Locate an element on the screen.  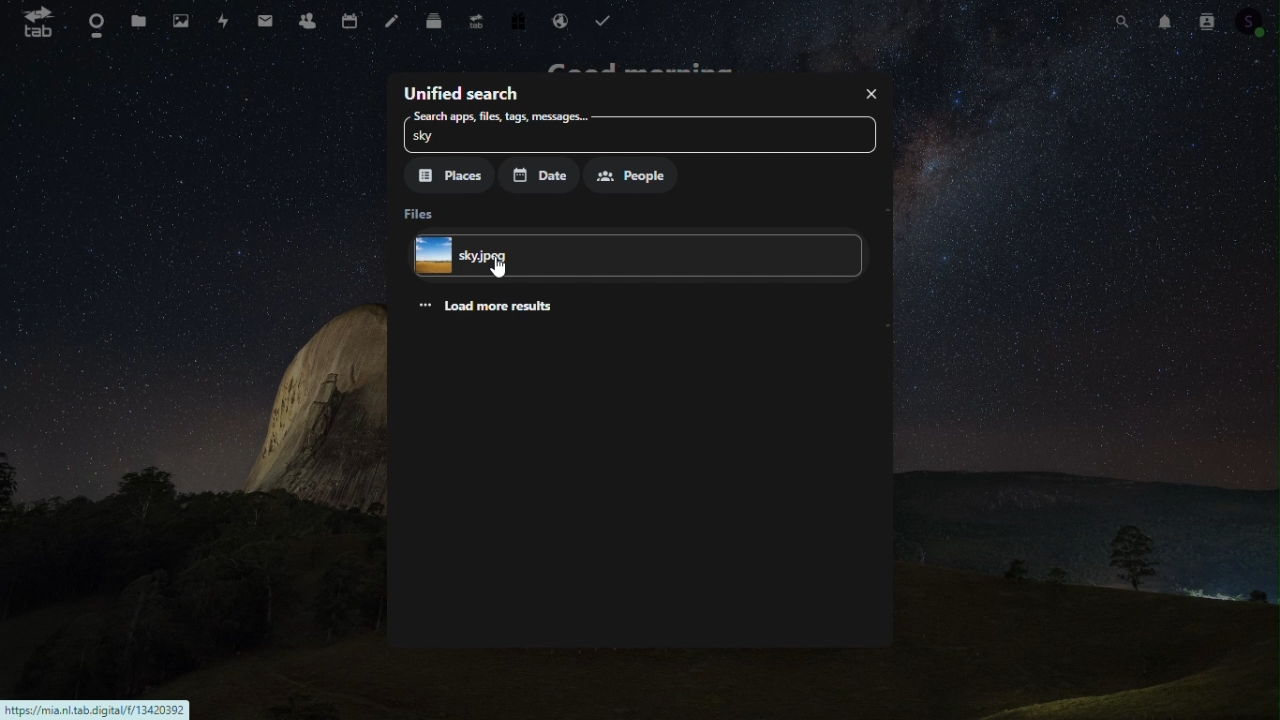
Search apps, files, tags, messages is located at coordinates (500, 116).